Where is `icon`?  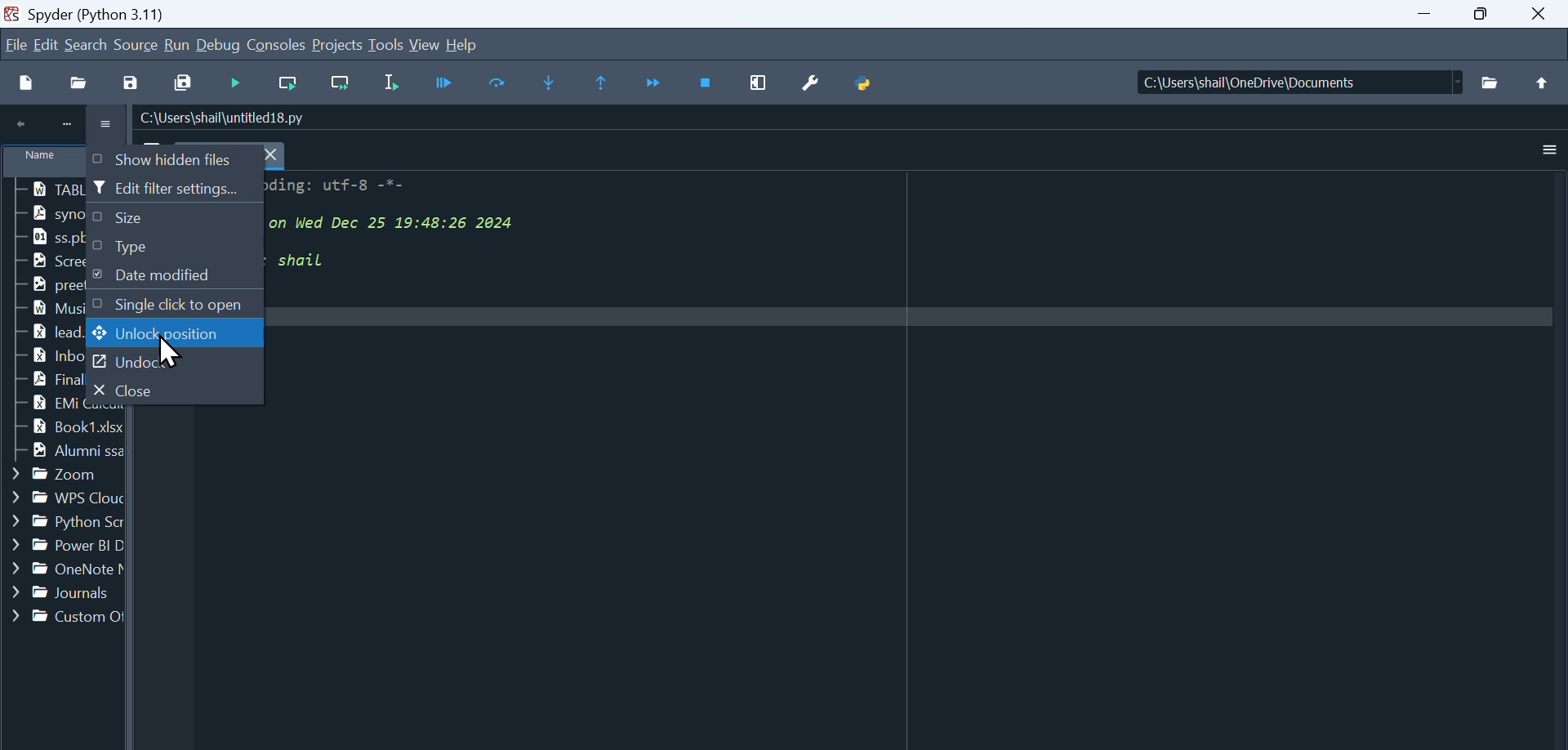 icon is located at coordinates (61, 123).